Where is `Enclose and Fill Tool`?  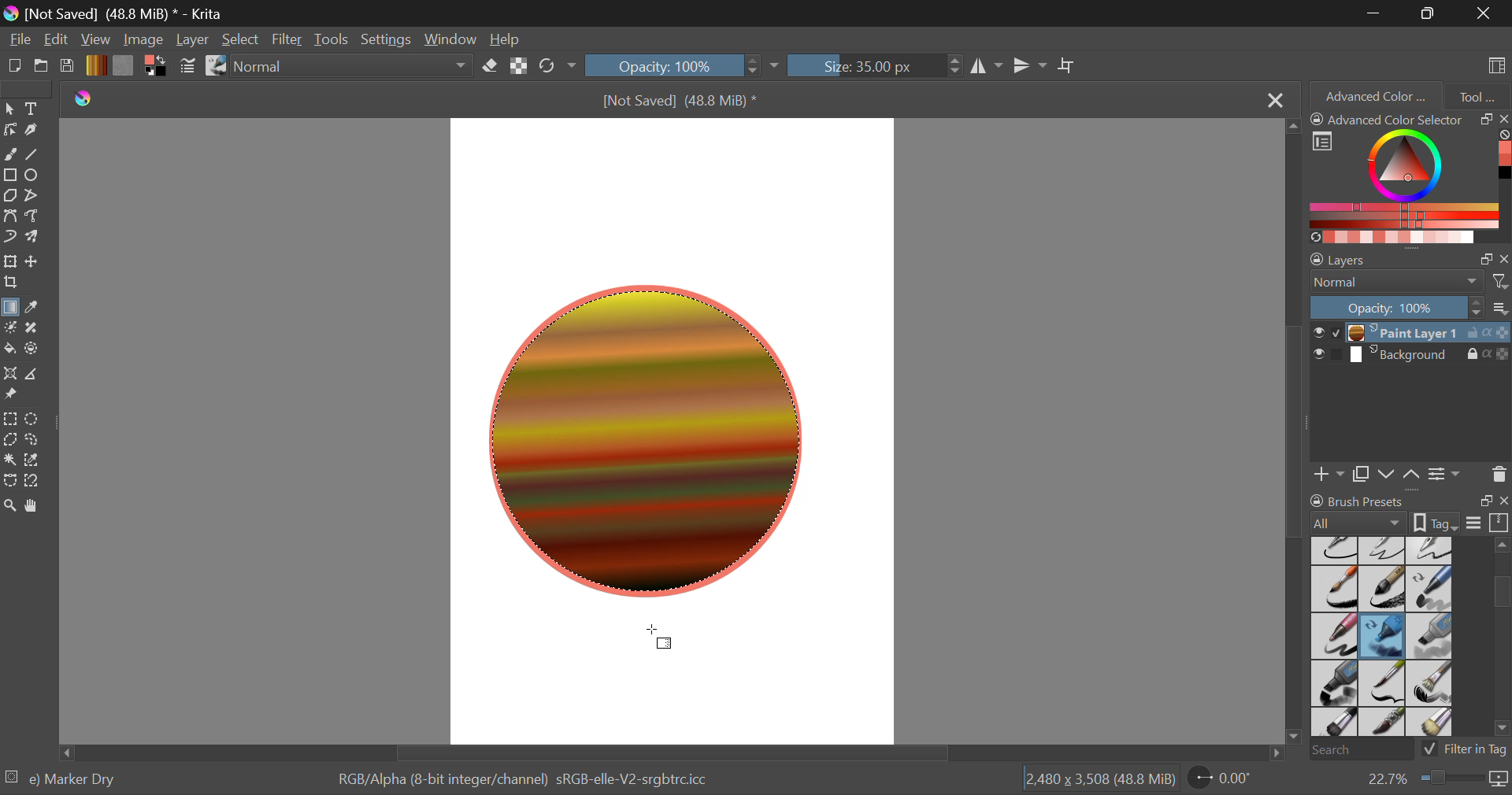 Enclose and Fill Tool is located at coordinates (33, 349).